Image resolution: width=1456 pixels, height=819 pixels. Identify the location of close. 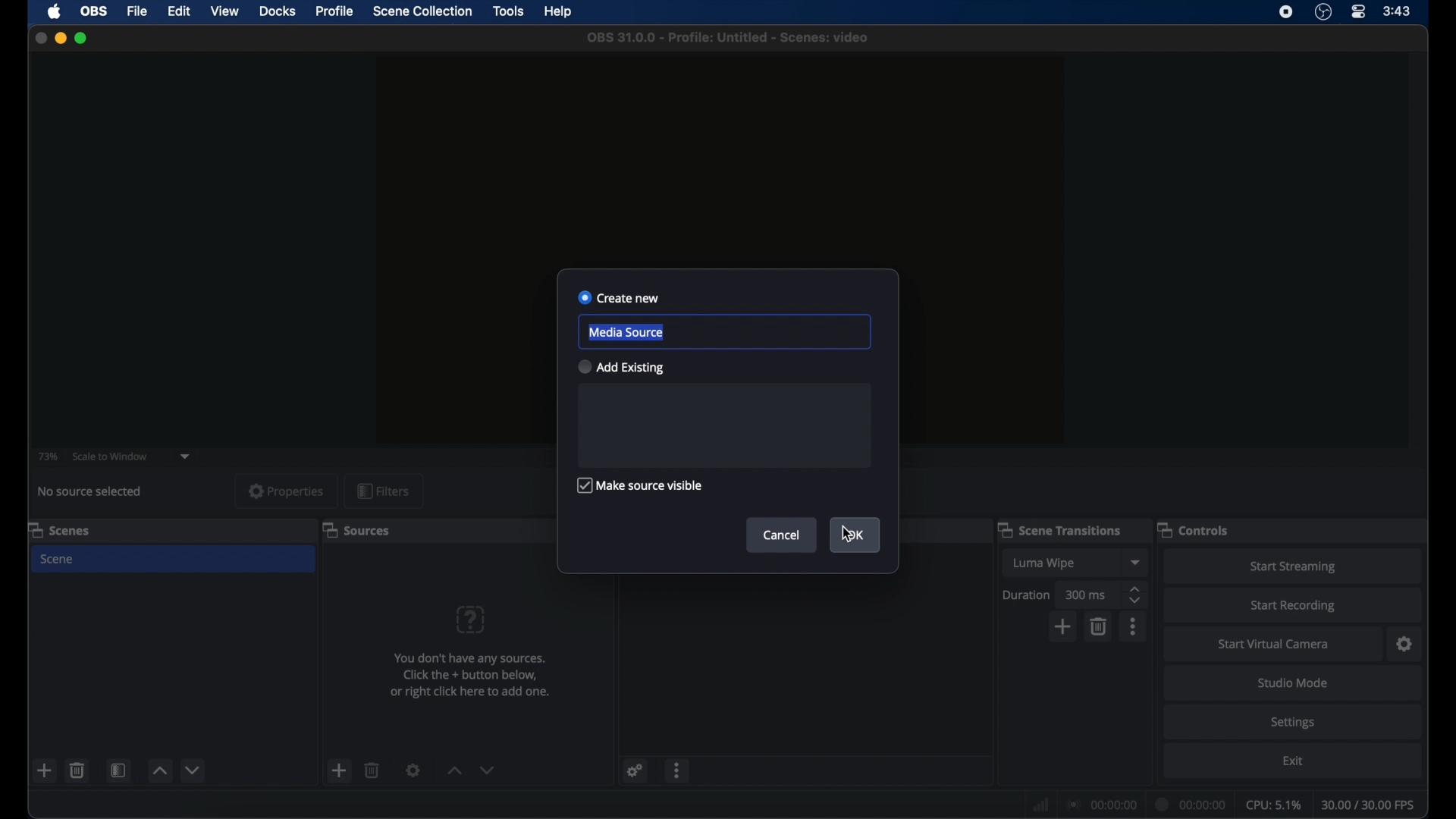
(41, 38).